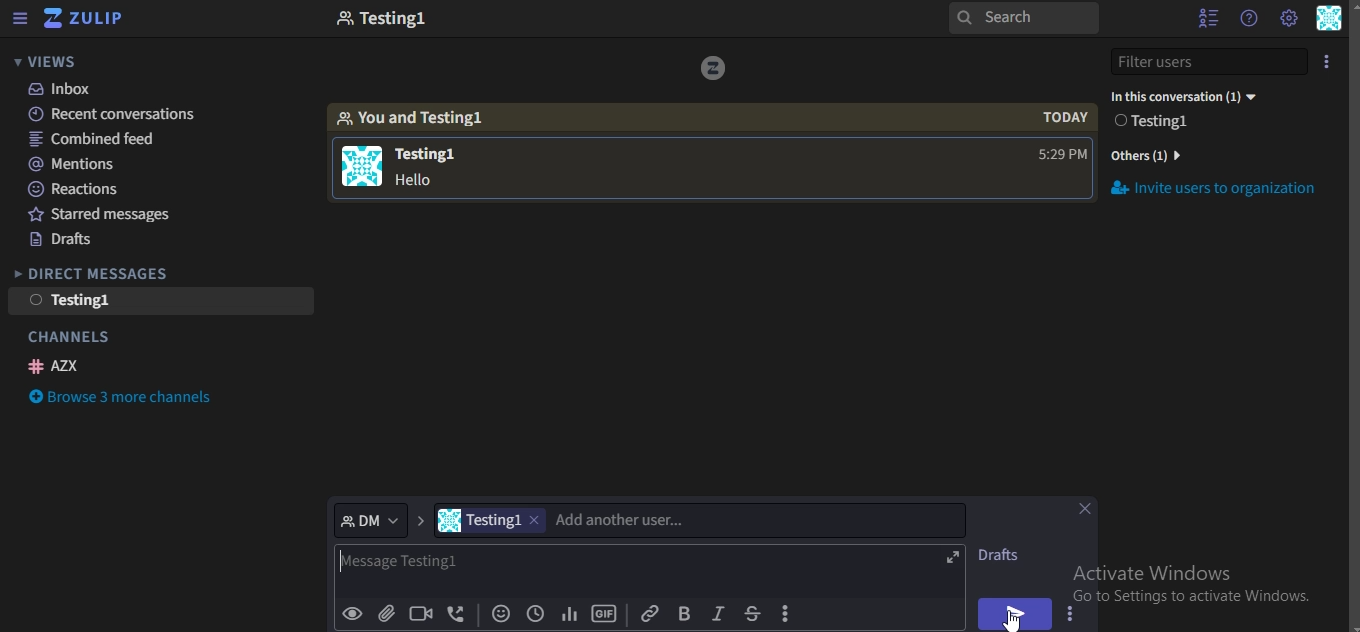 The height and width of the screenshot is (632, 1360). I want to click on personal menu, so click(1330, 20).